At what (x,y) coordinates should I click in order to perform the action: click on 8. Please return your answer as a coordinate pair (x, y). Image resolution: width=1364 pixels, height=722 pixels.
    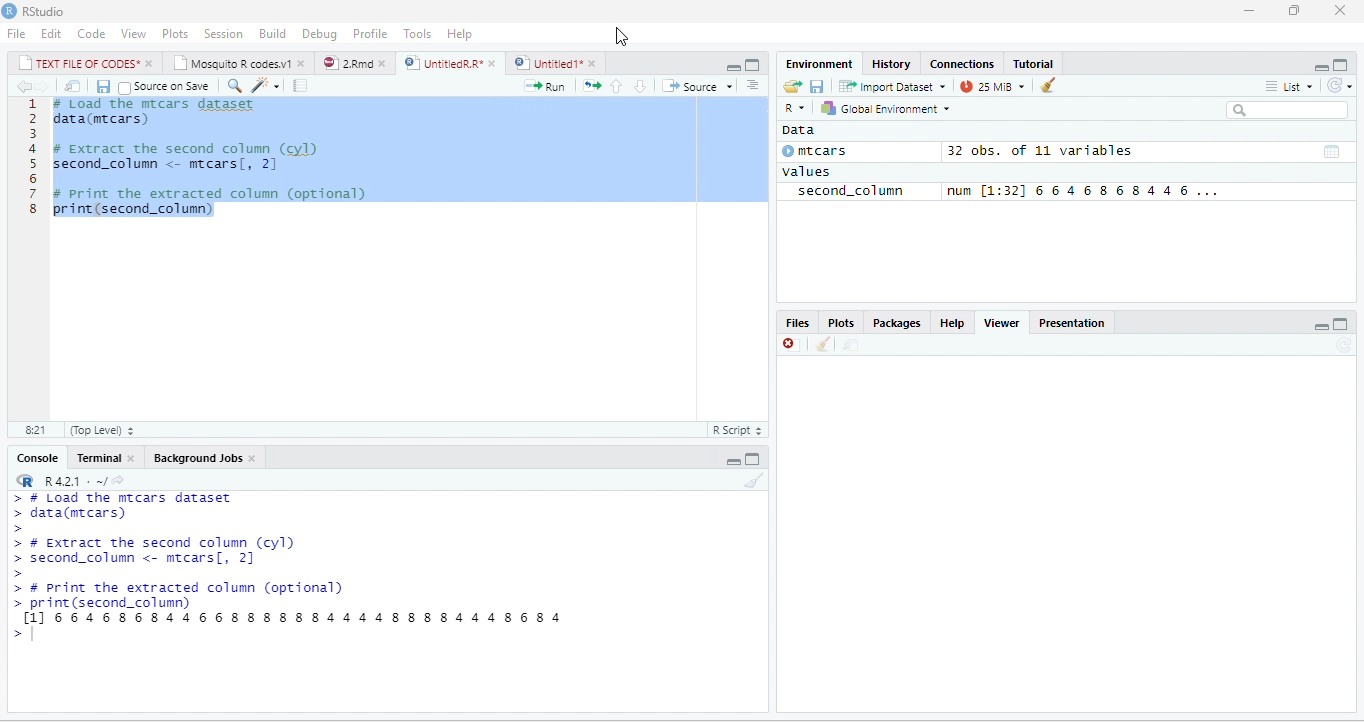
    Looking at the image, I should click on (32, 209).